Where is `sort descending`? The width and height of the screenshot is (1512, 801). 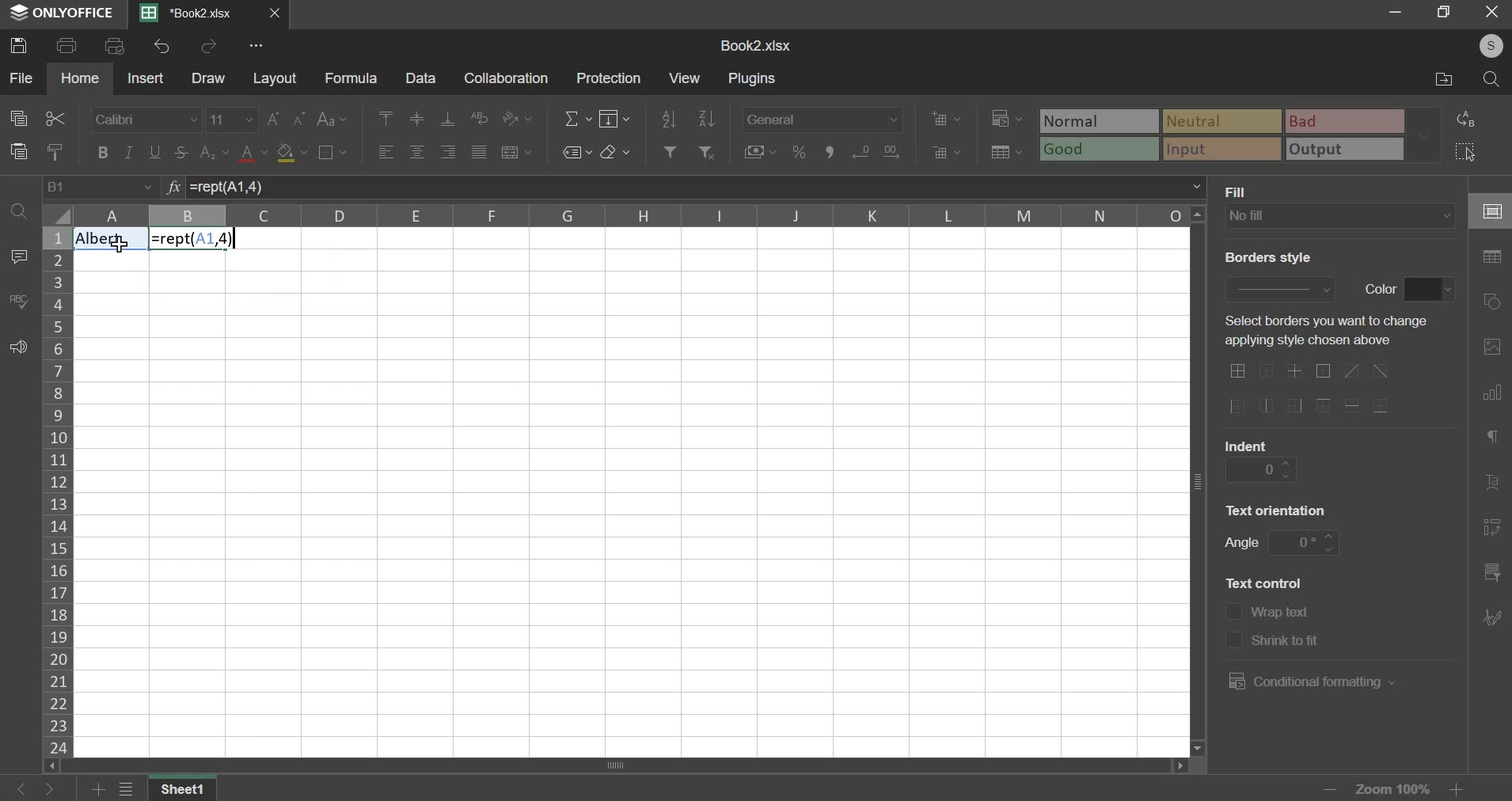 sort descending is located at coordinates (706, 119).